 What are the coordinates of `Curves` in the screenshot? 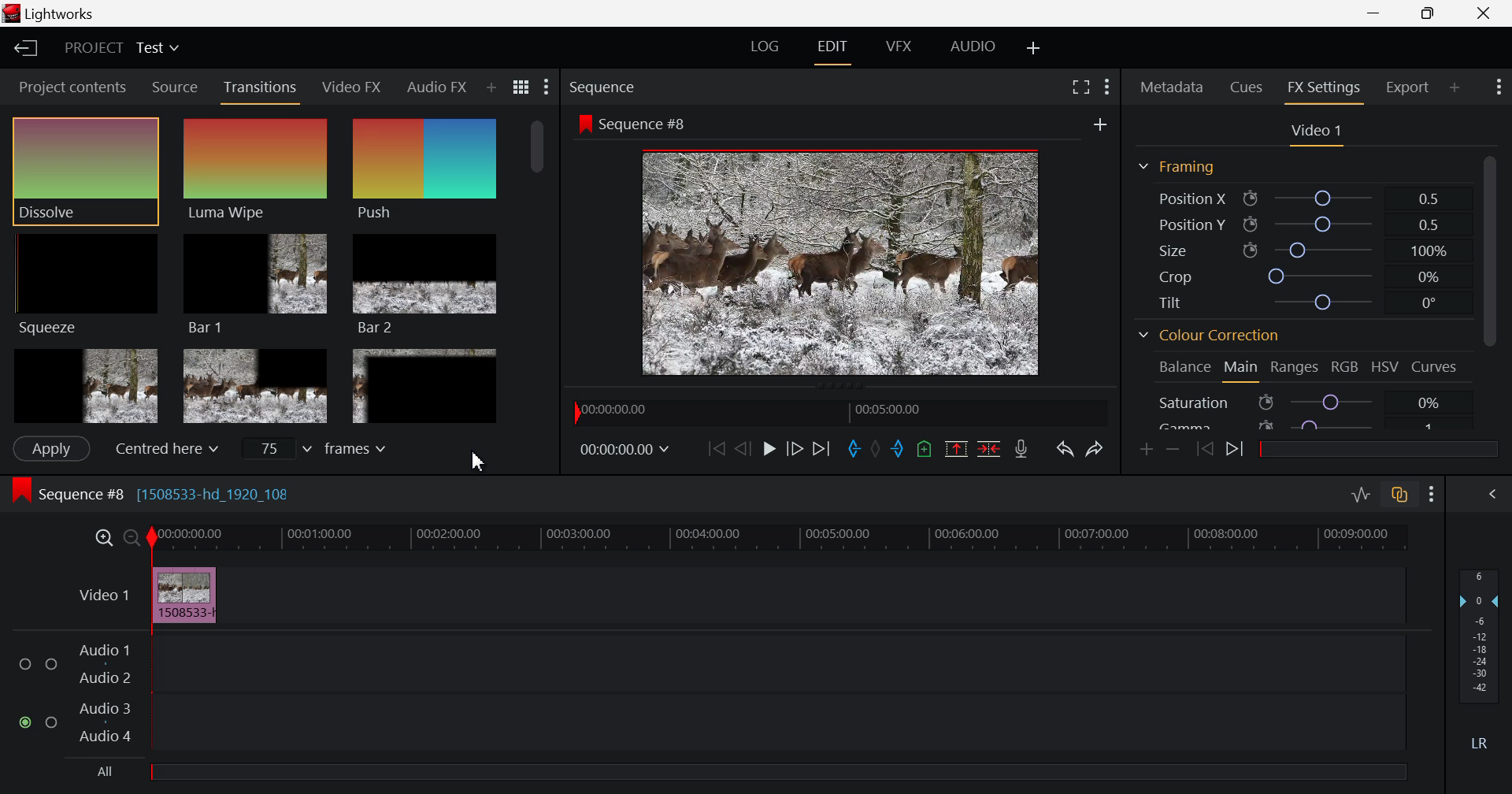 It's located at (1436, 365).